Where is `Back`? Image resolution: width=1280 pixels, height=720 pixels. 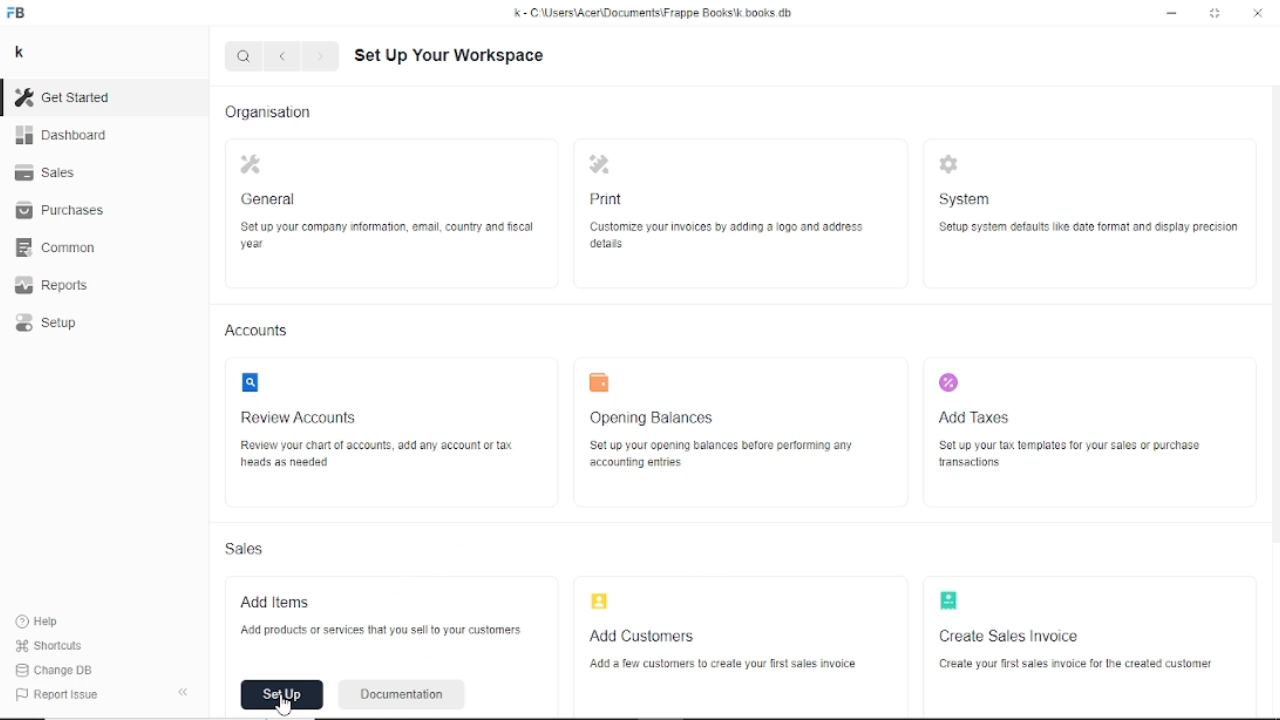 Back is located at coordinates (282, 55).